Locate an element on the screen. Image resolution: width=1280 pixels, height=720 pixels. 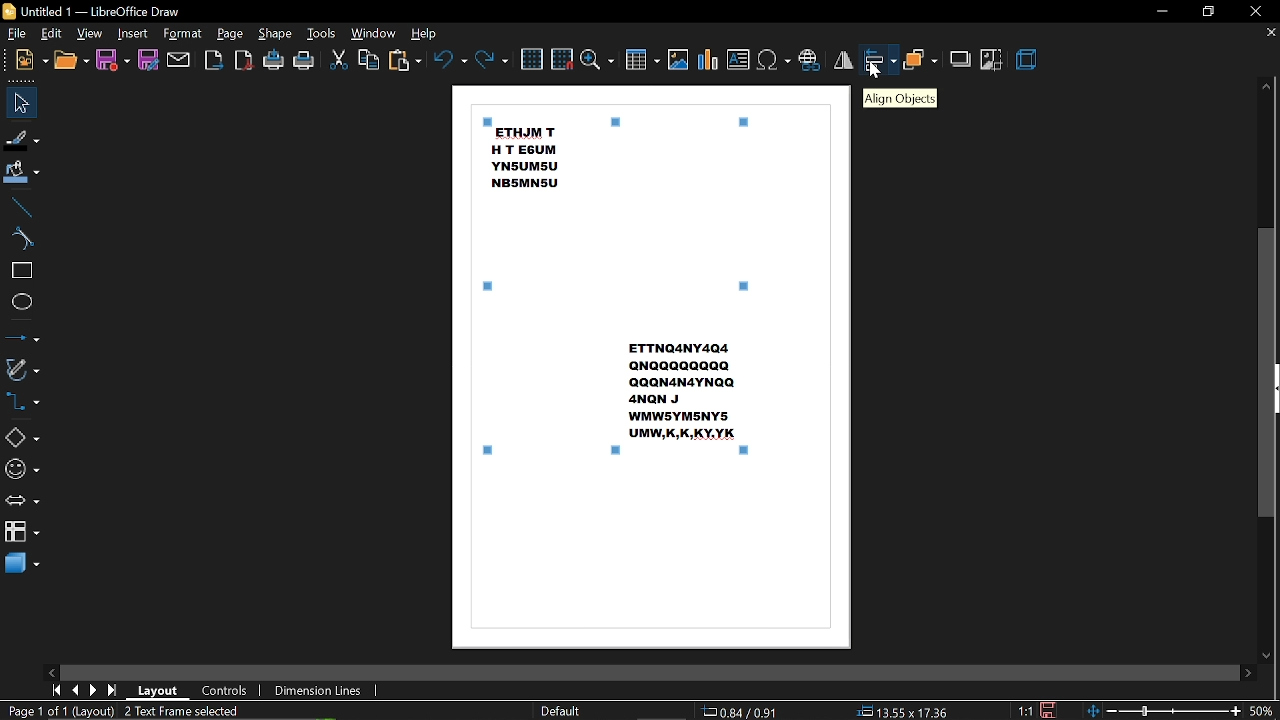
align is located at coordinates (880, 61).